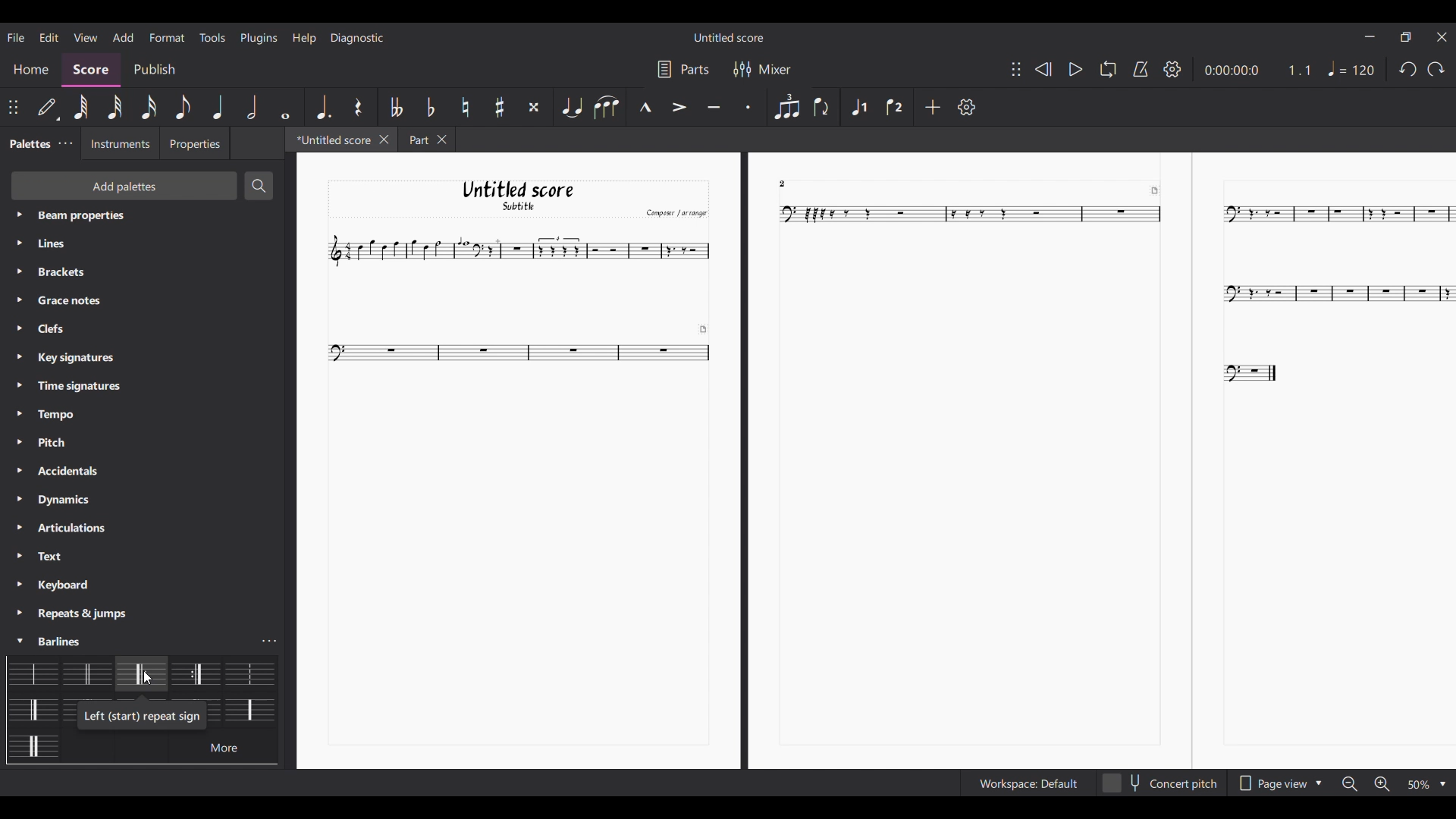 This screenshot has width=1456, height=819. What do you see at coordinates (68, 362) in the screenshot?
I see `Palette settings` at bounding box center [68, 362].